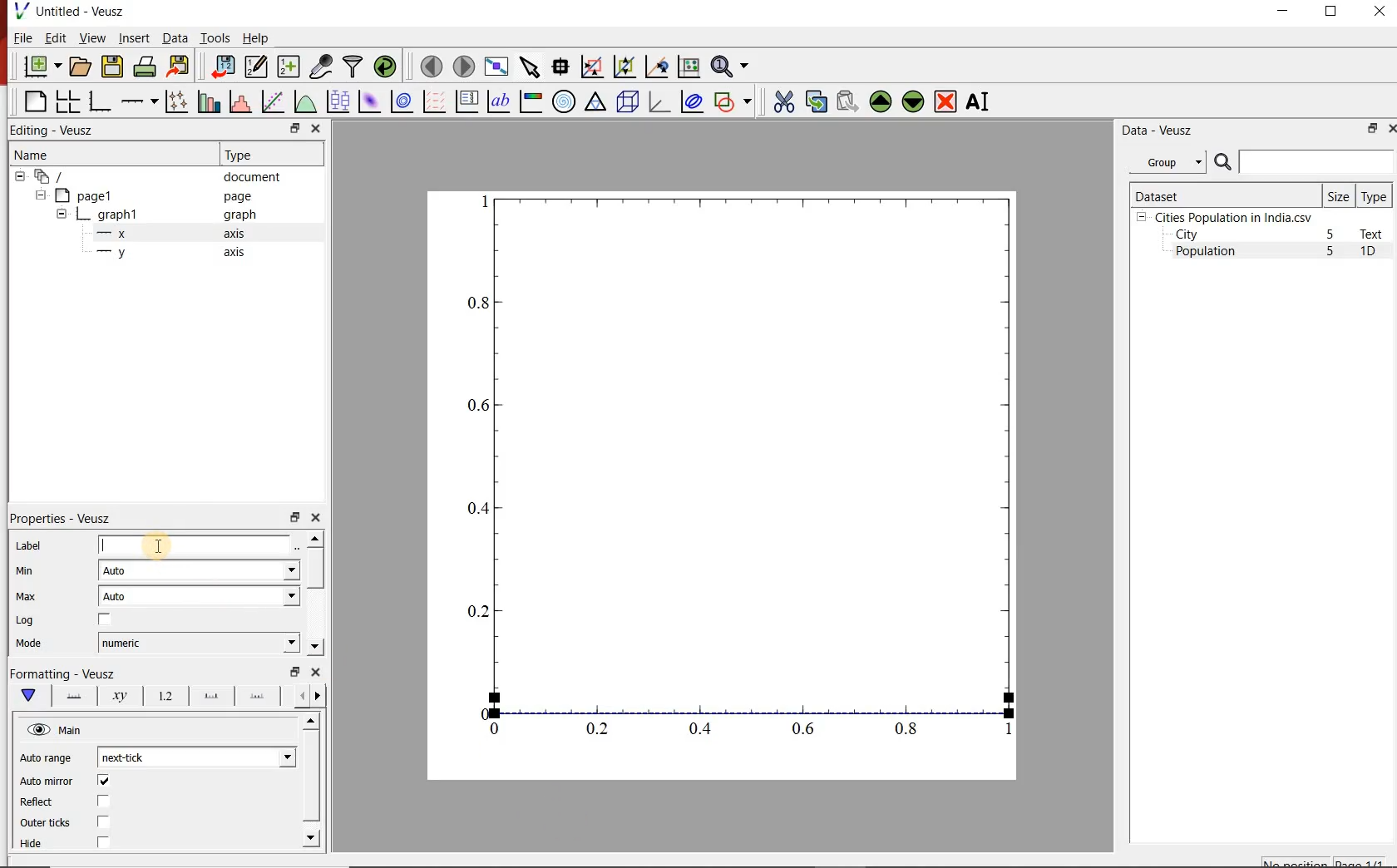 The height and width of the screenshot is (868, 1397). Describe the element at coordinates (312, 695) in the screenshot. I see `Grid lines` at that location.